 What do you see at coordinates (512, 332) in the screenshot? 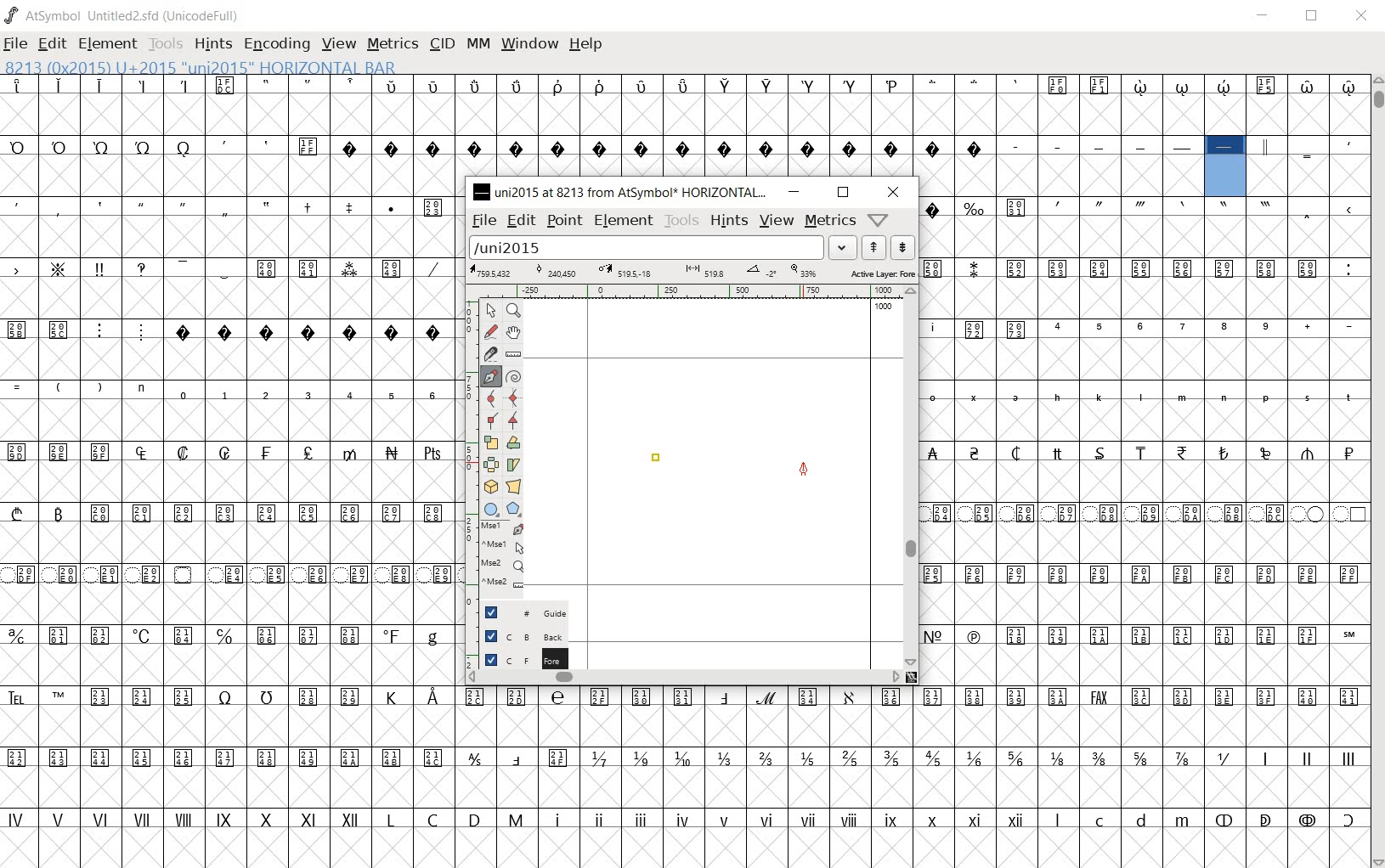
I see `scroll by hand` at bounding box center [512, 332].